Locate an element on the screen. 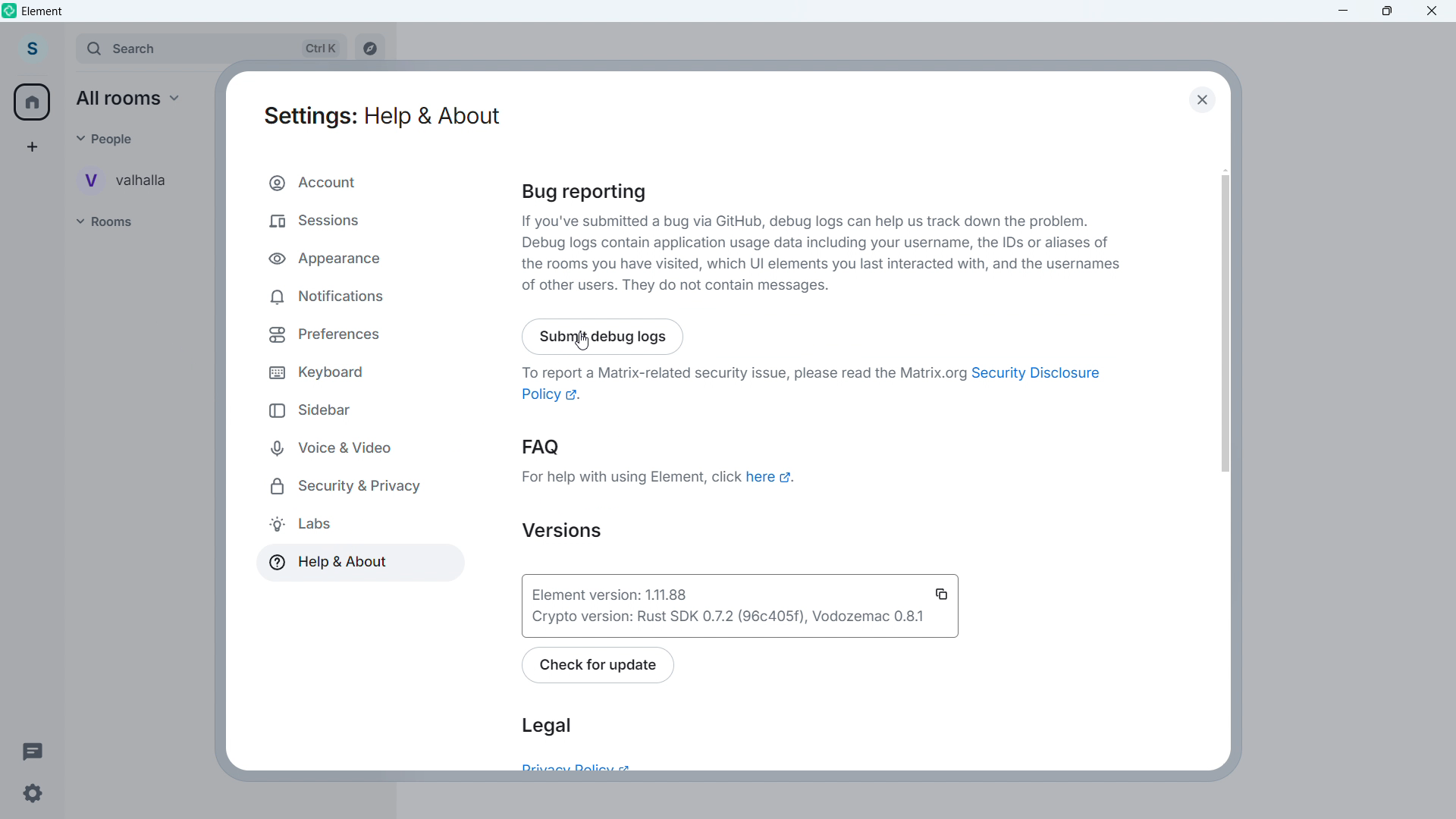 This screenshot has width=1456, height=819. Threads  is located at coordinates (33, 750).